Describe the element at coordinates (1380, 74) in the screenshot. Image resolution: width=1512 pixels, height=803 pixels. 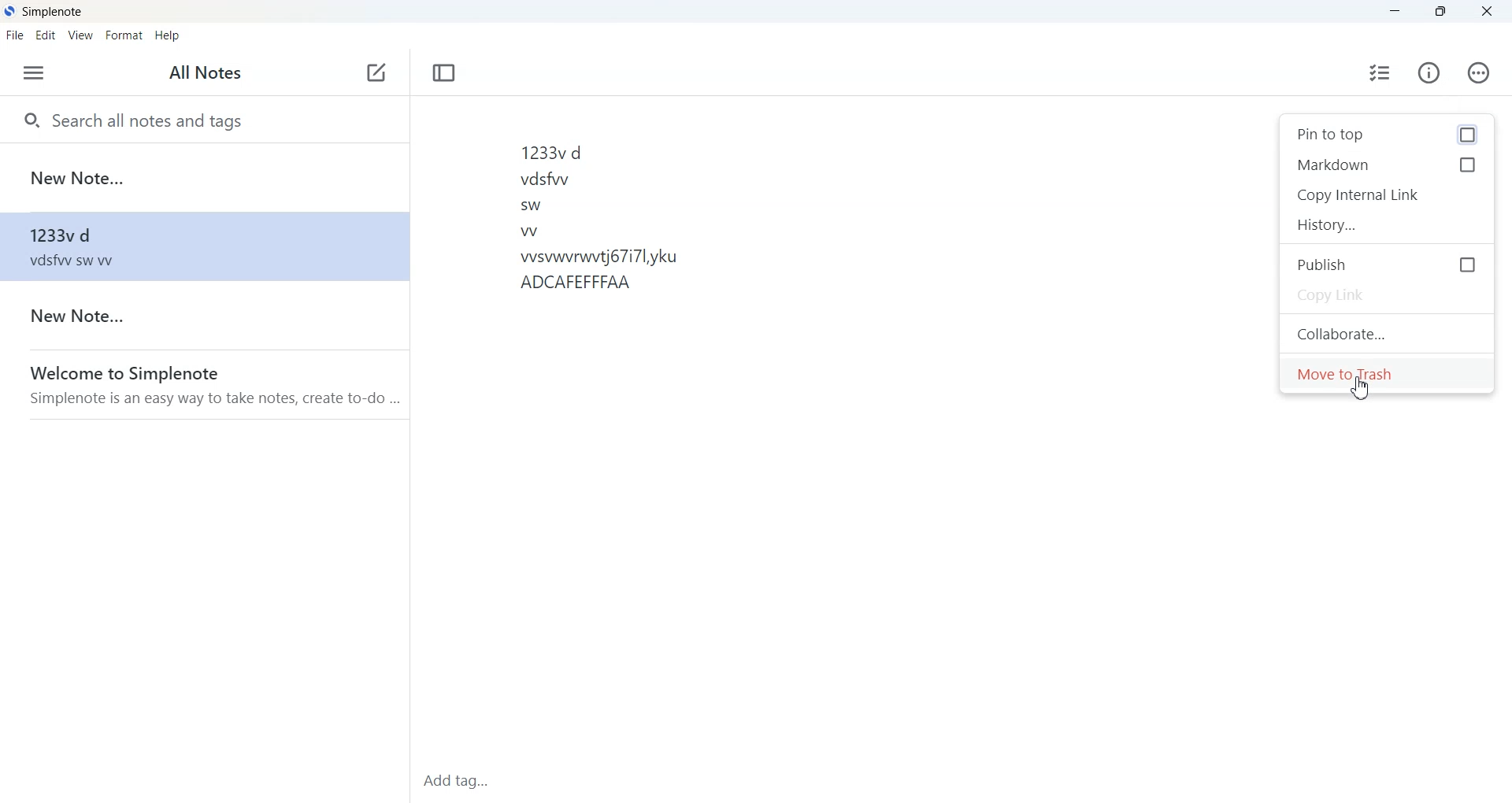
I see `Insert Checklist` at that location.